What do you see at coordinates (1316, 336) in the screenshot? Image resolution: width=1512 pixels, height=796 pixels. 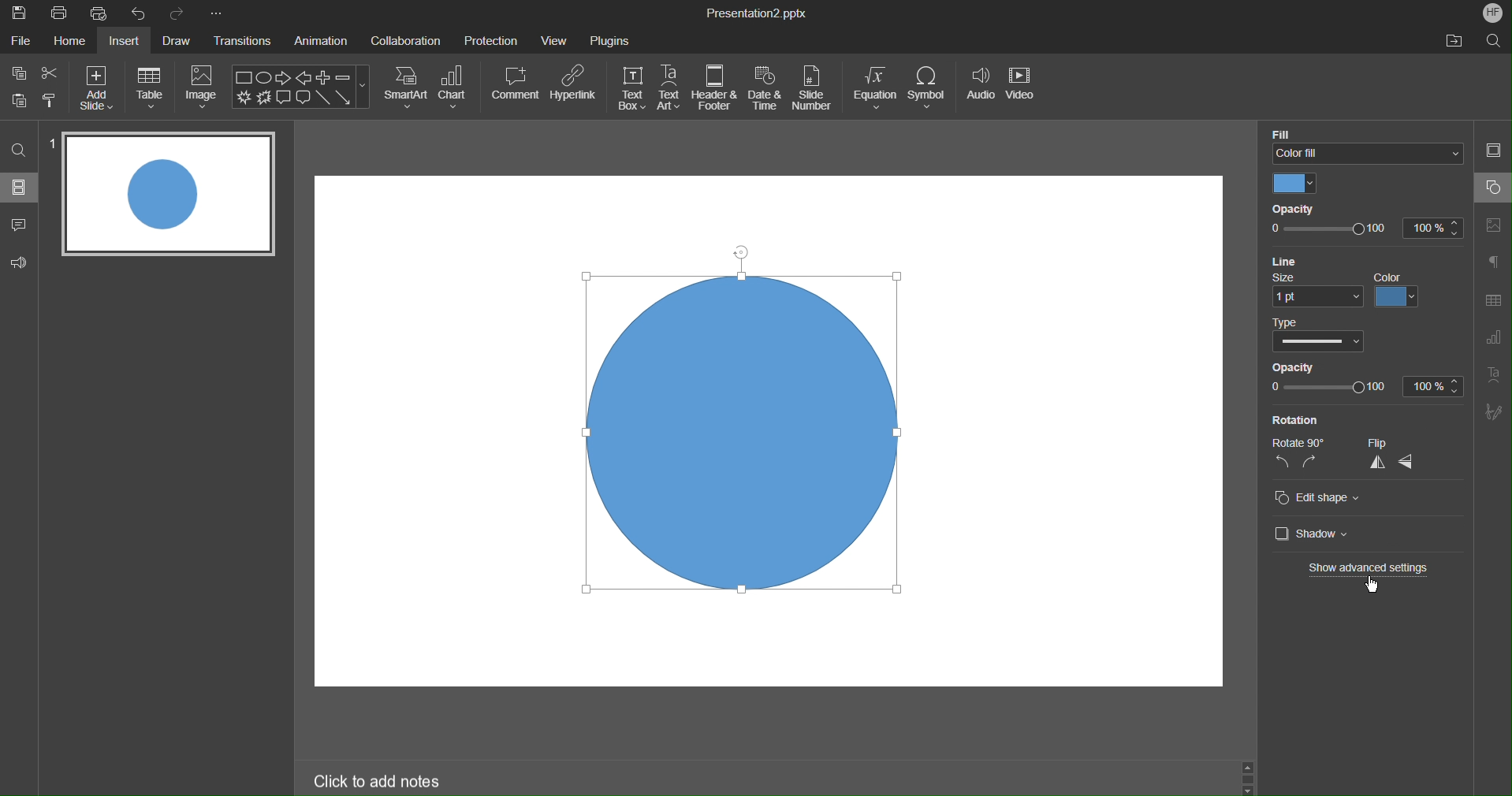 I see `Type` at bounding box center [1316, 336].